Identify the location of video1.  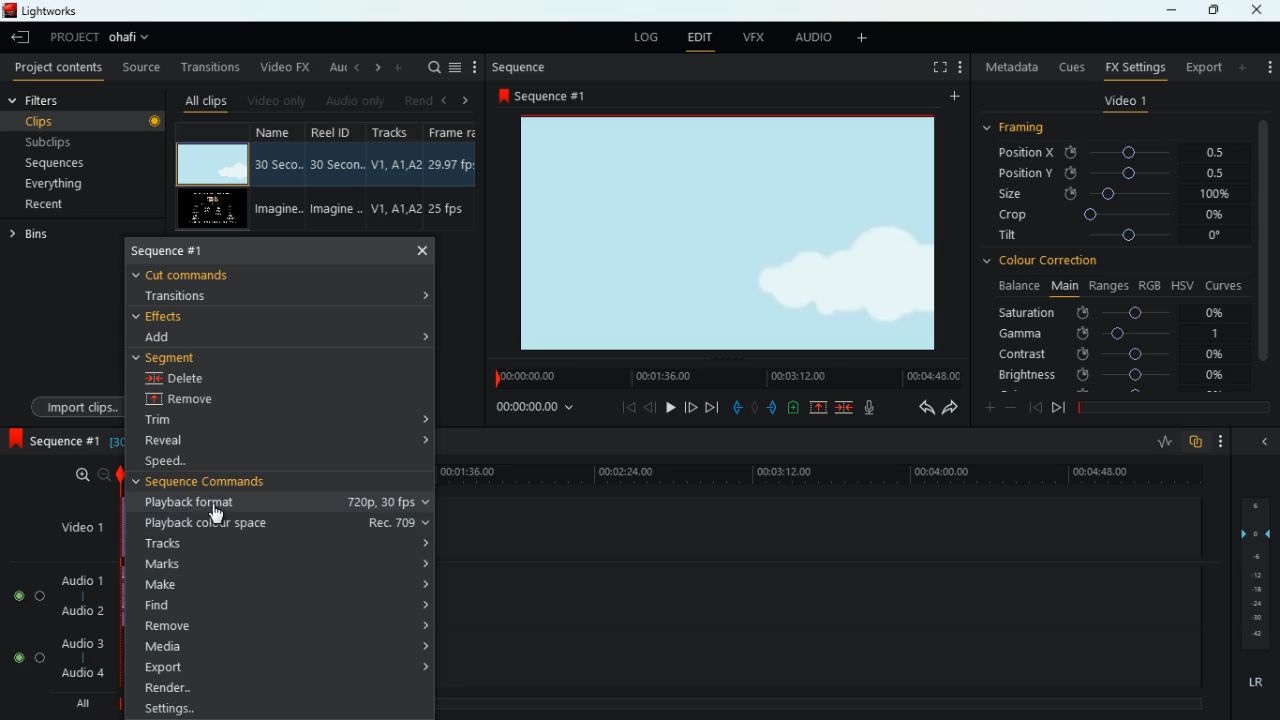
(78, 527).